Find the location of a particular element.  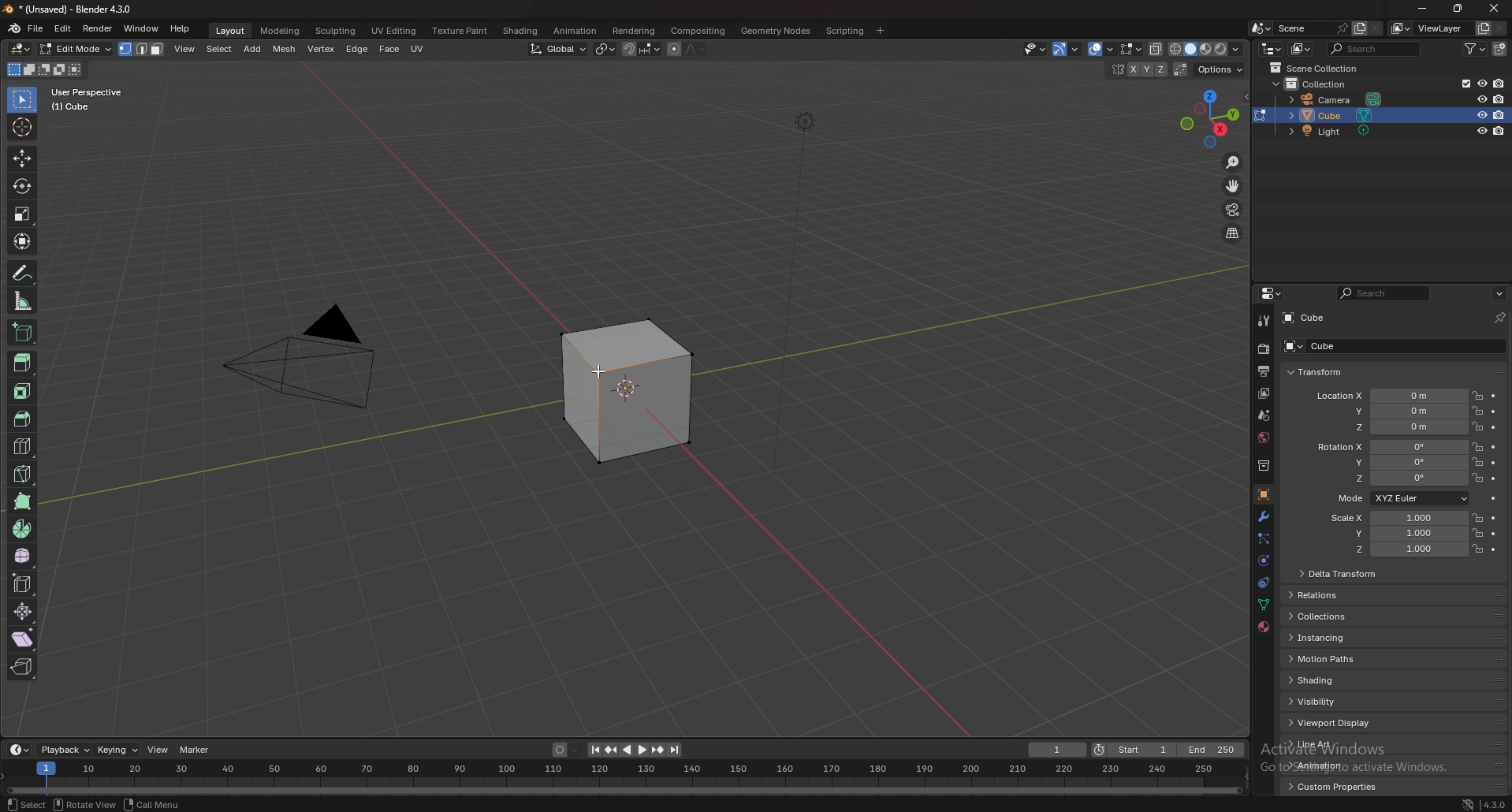

display filter is located at coordinates (1387, 292).